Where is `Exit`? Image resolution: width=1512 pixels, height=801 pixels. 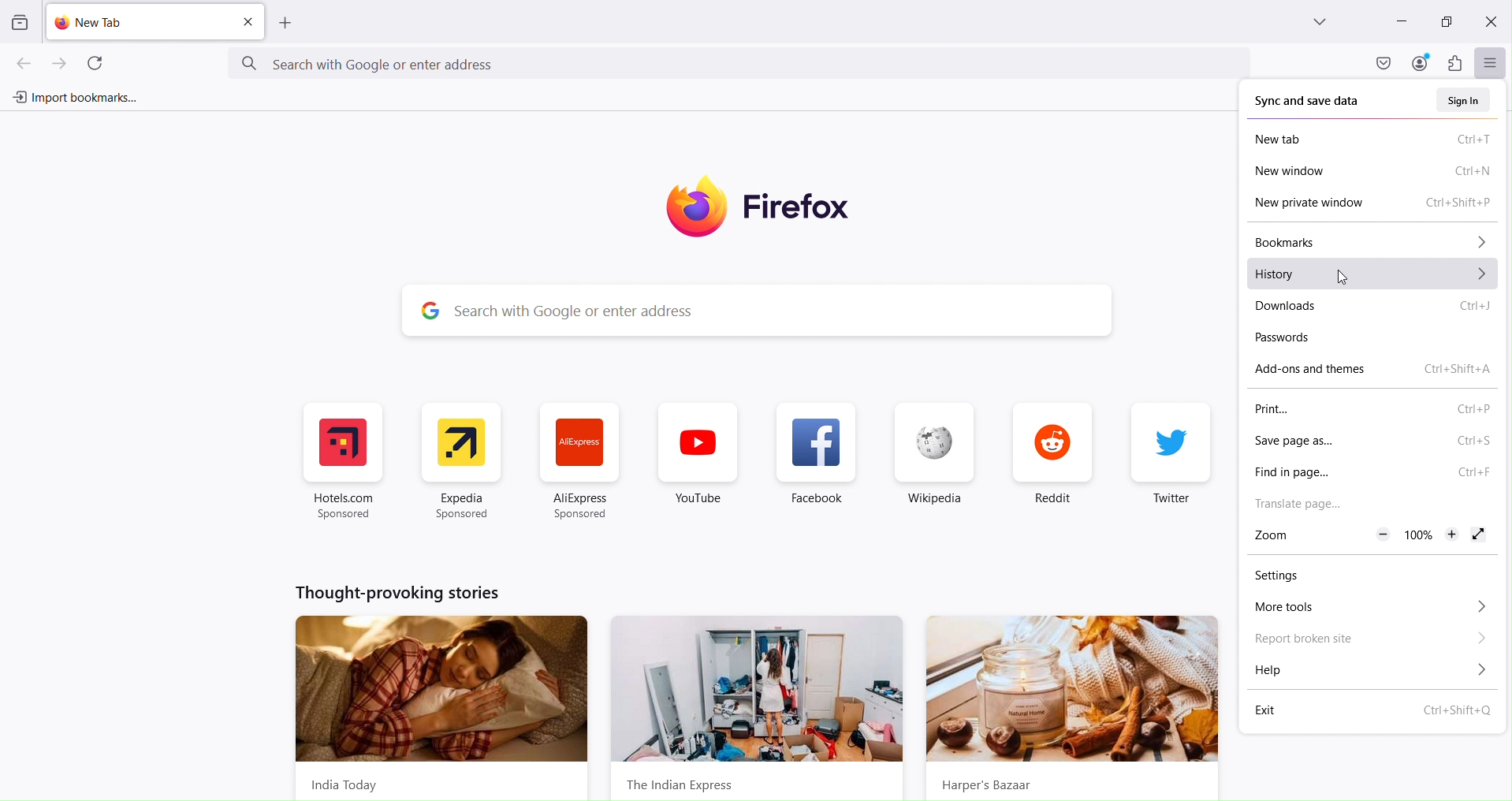
Exit is located at coordinates (1376, 710).